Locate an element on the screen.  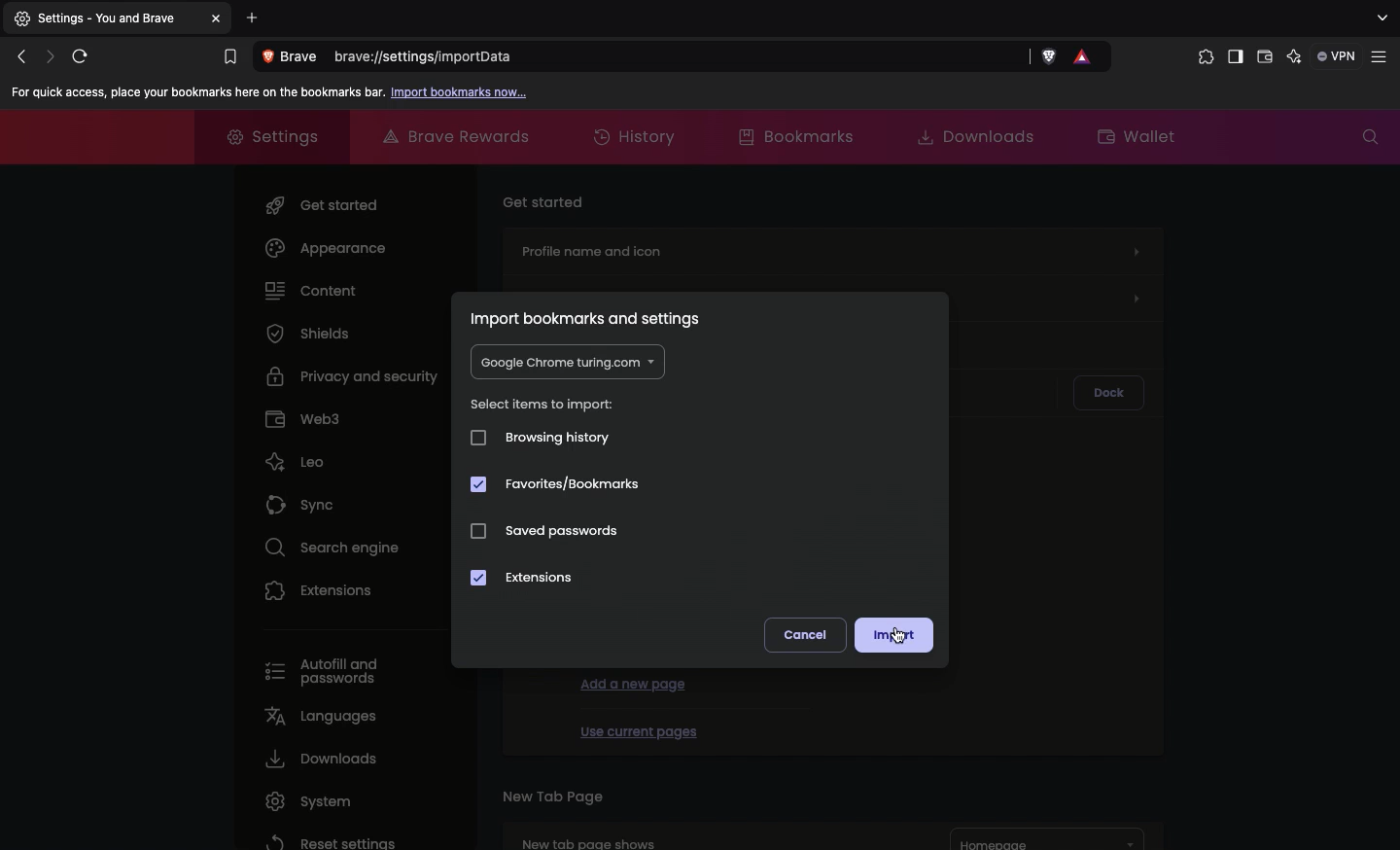
Appearance is located at coordinates (326, 248).